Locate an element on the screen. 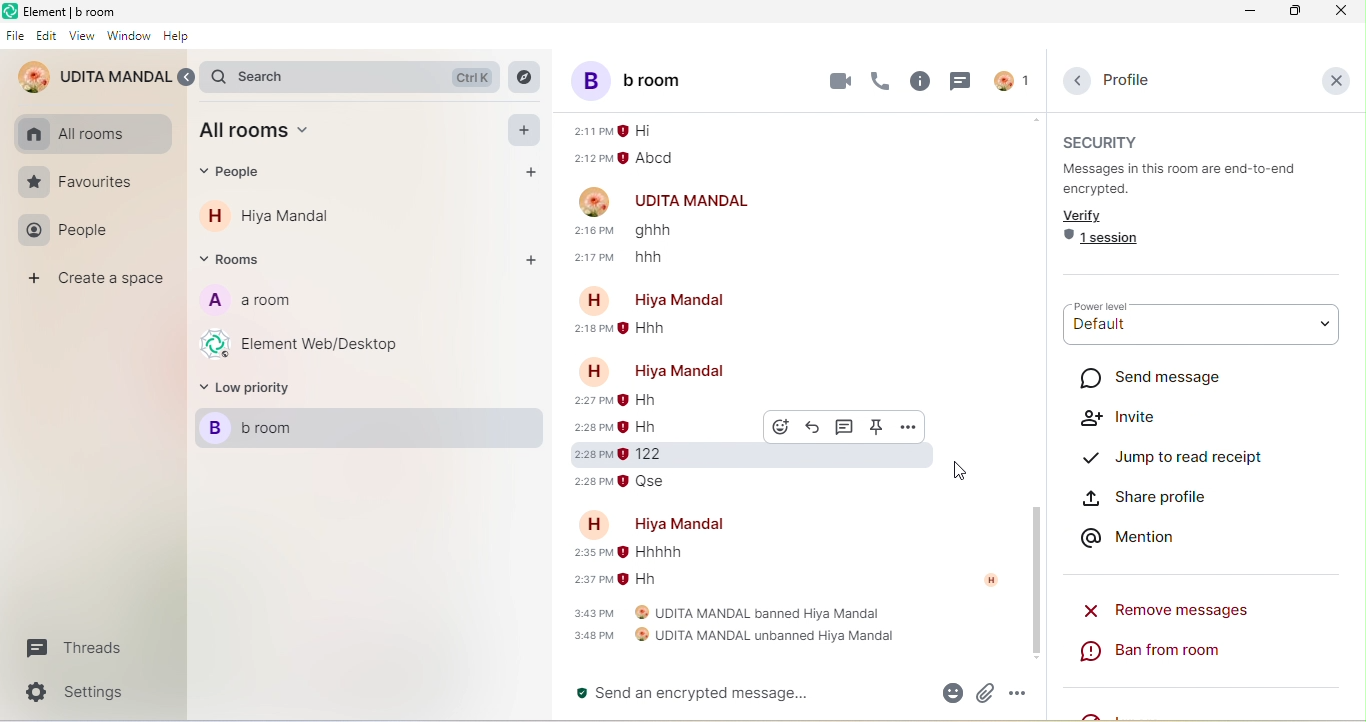 This screenshot has width=1366, height=722. pinned is located at coordinates (880, 428).